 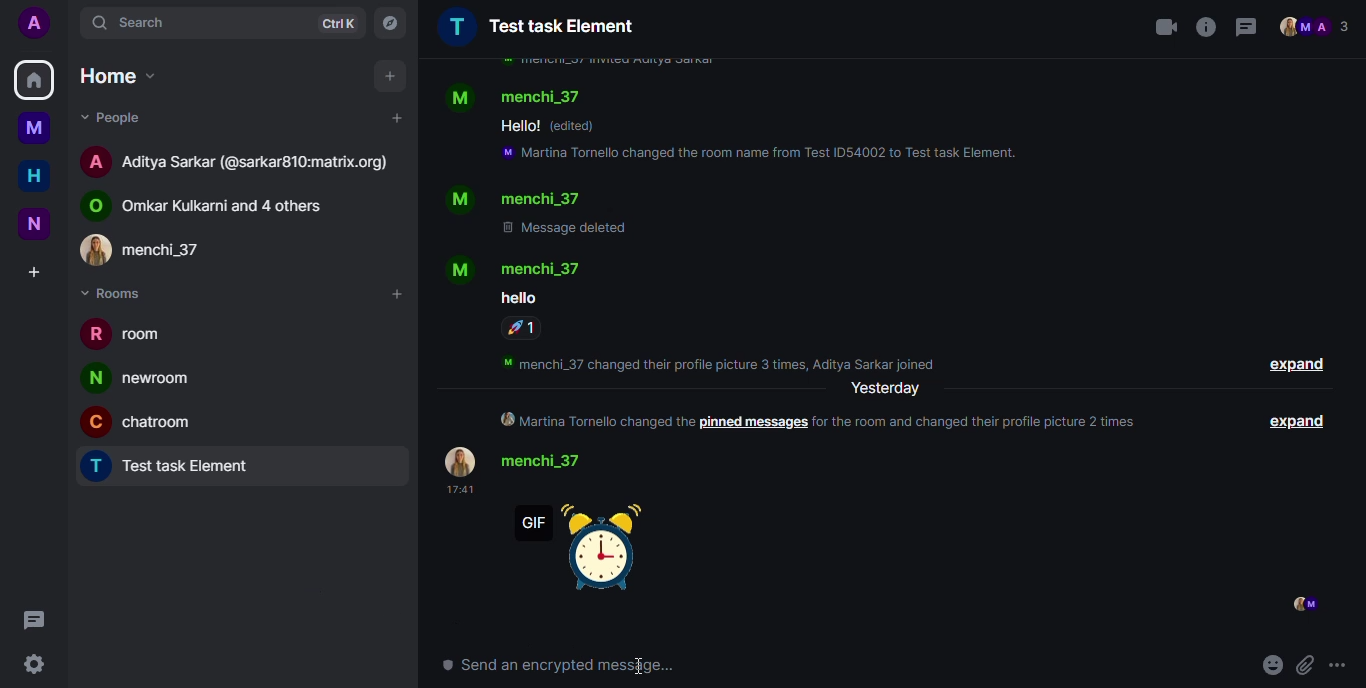 What do you see at coordinates (119, 293) in the screenshot?
I see `rooms dropdown` at bounding box center [119, 293].